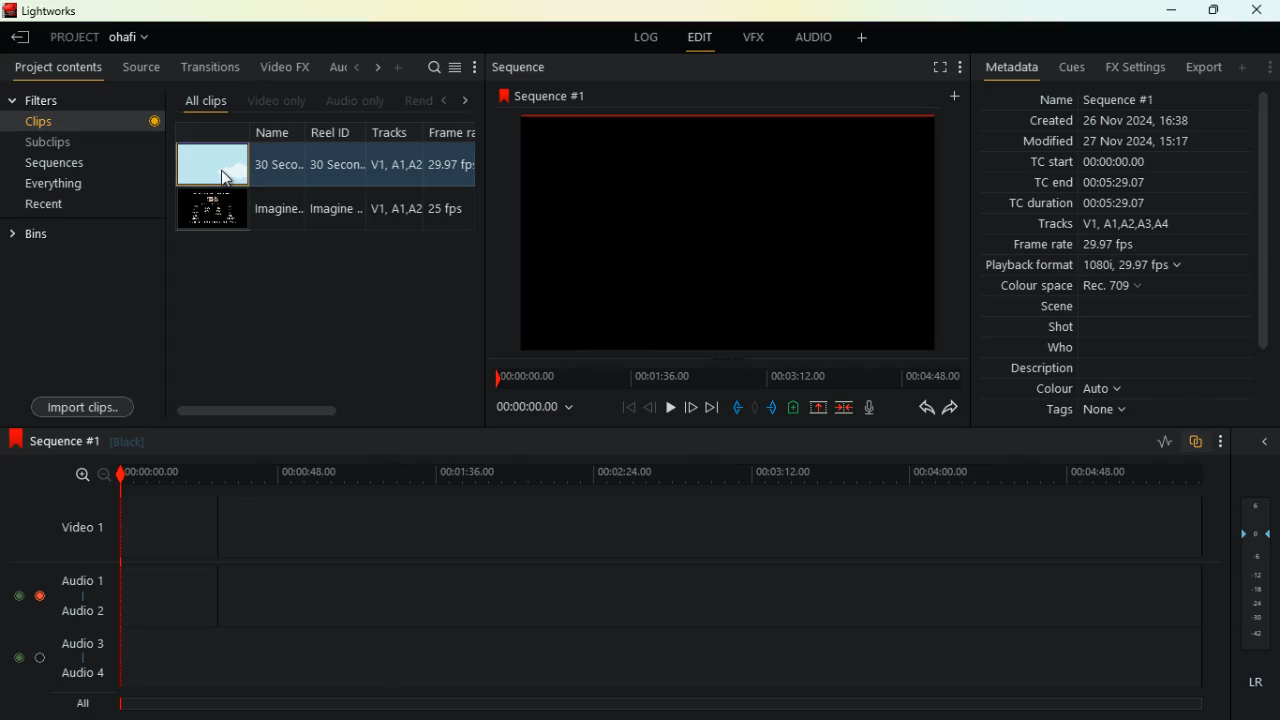  What do you see at coordinates (1194, 442) in the screenshot?
I see `overlap` at bounding box center [1194, 442].